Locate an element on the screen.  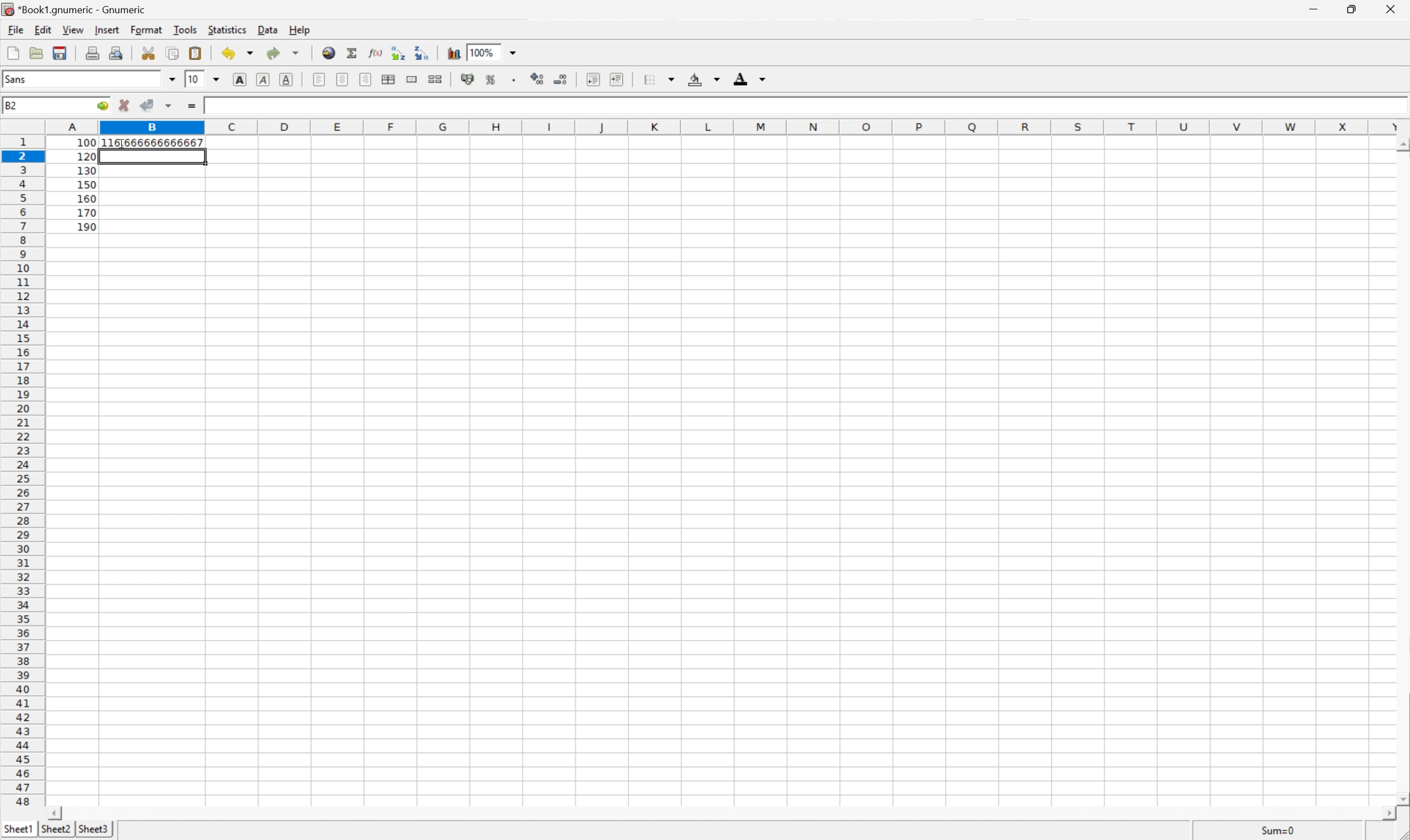
Sheet1 is located at coordinates (16, 829).